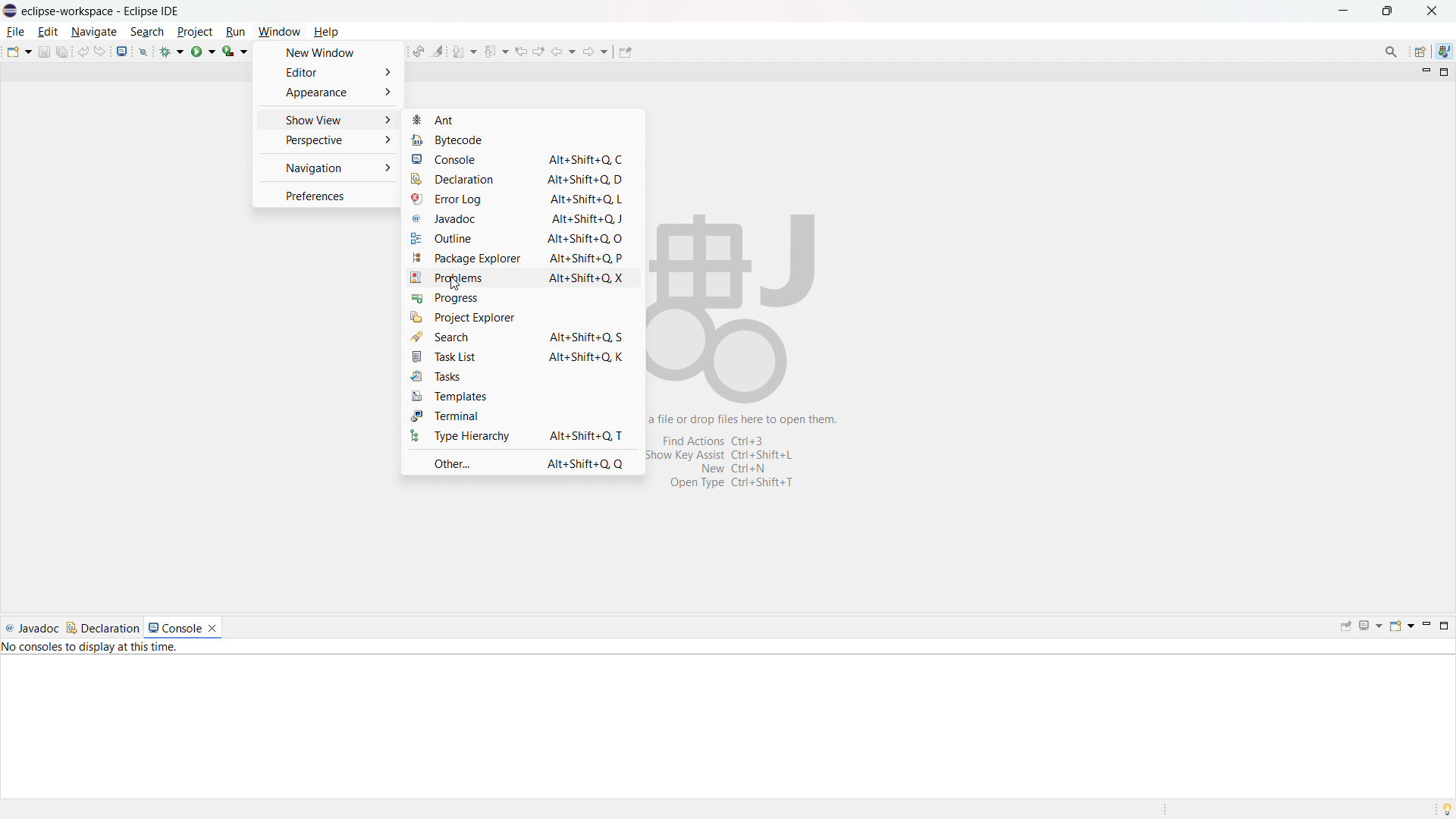 The image size is (1456, 819). I want to click on templates, so click(522, 395).